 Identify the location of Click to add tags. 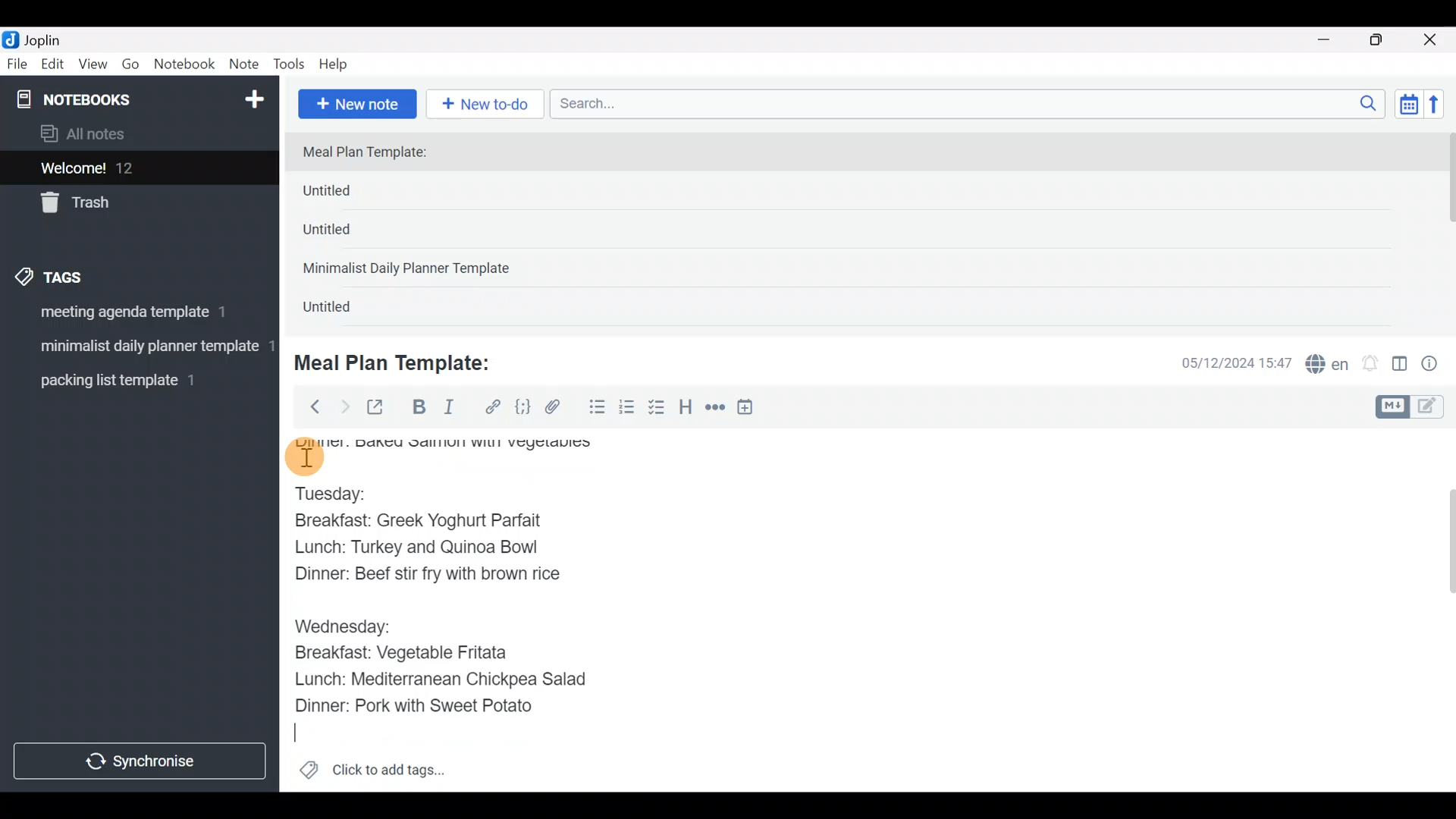
(372, 775).